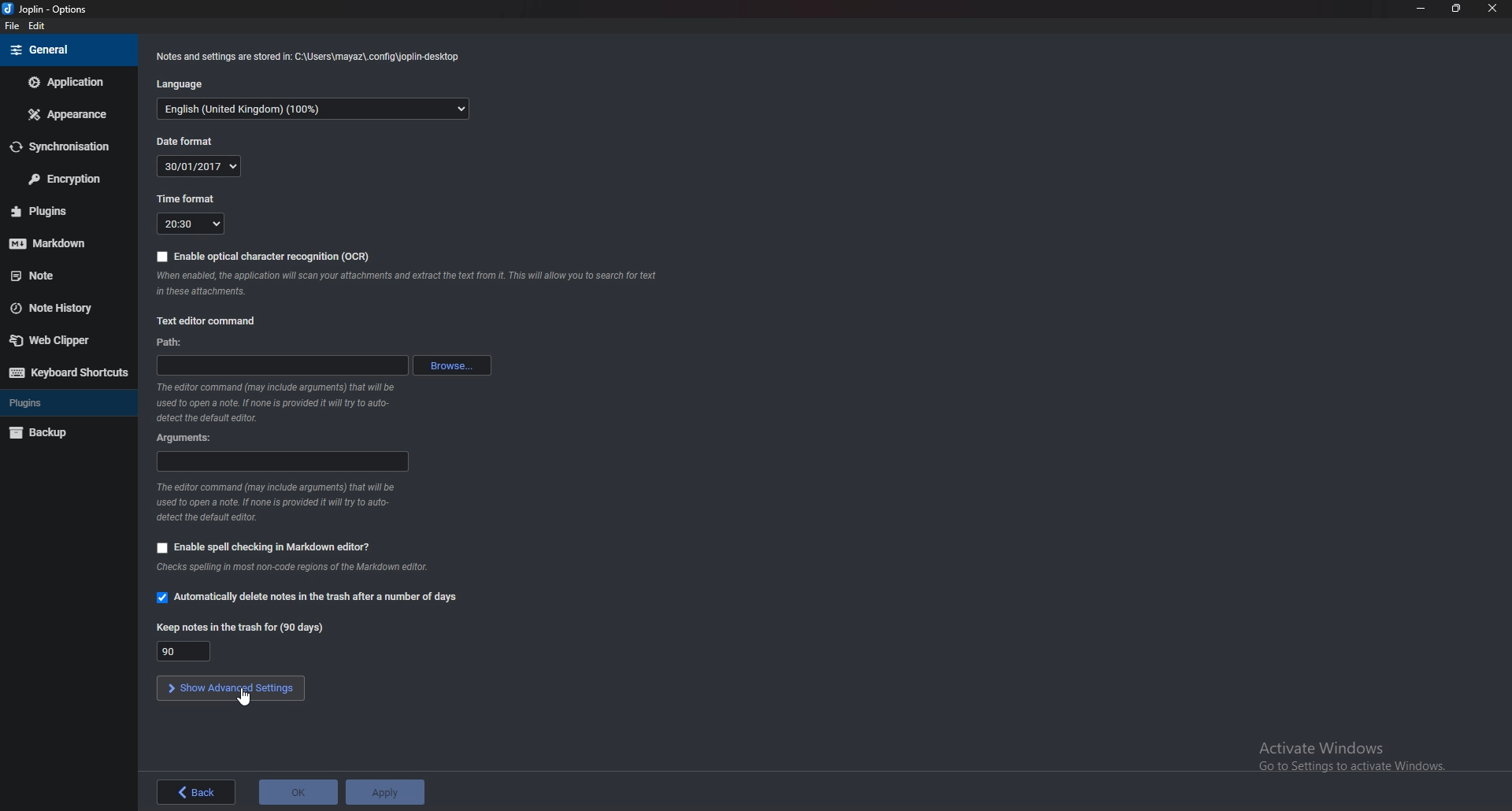  I want to click on cursor, so click(246, 695).